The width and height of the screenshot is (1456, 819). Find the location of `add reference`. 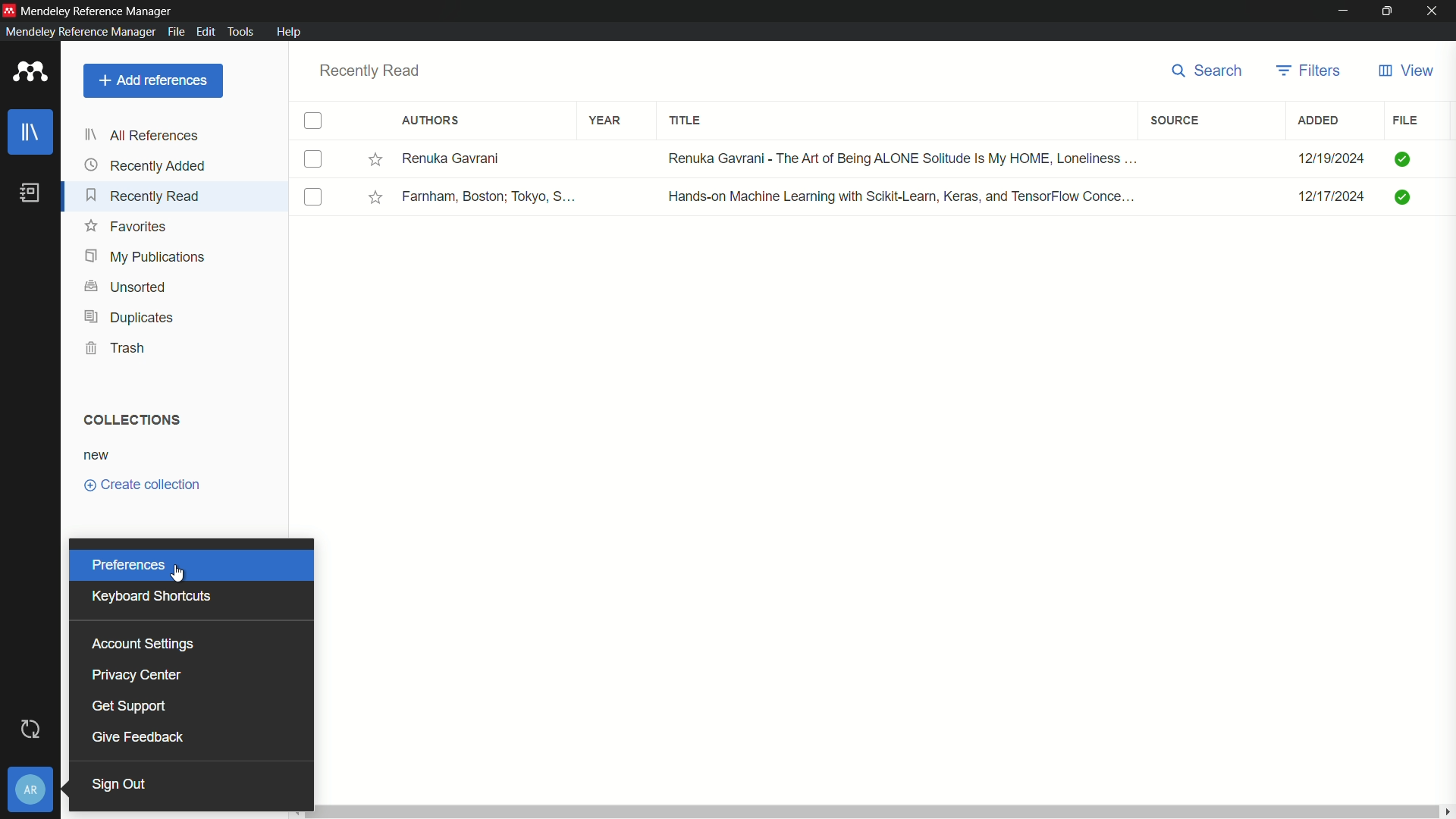

add reference is located at coordinates (152, 80).